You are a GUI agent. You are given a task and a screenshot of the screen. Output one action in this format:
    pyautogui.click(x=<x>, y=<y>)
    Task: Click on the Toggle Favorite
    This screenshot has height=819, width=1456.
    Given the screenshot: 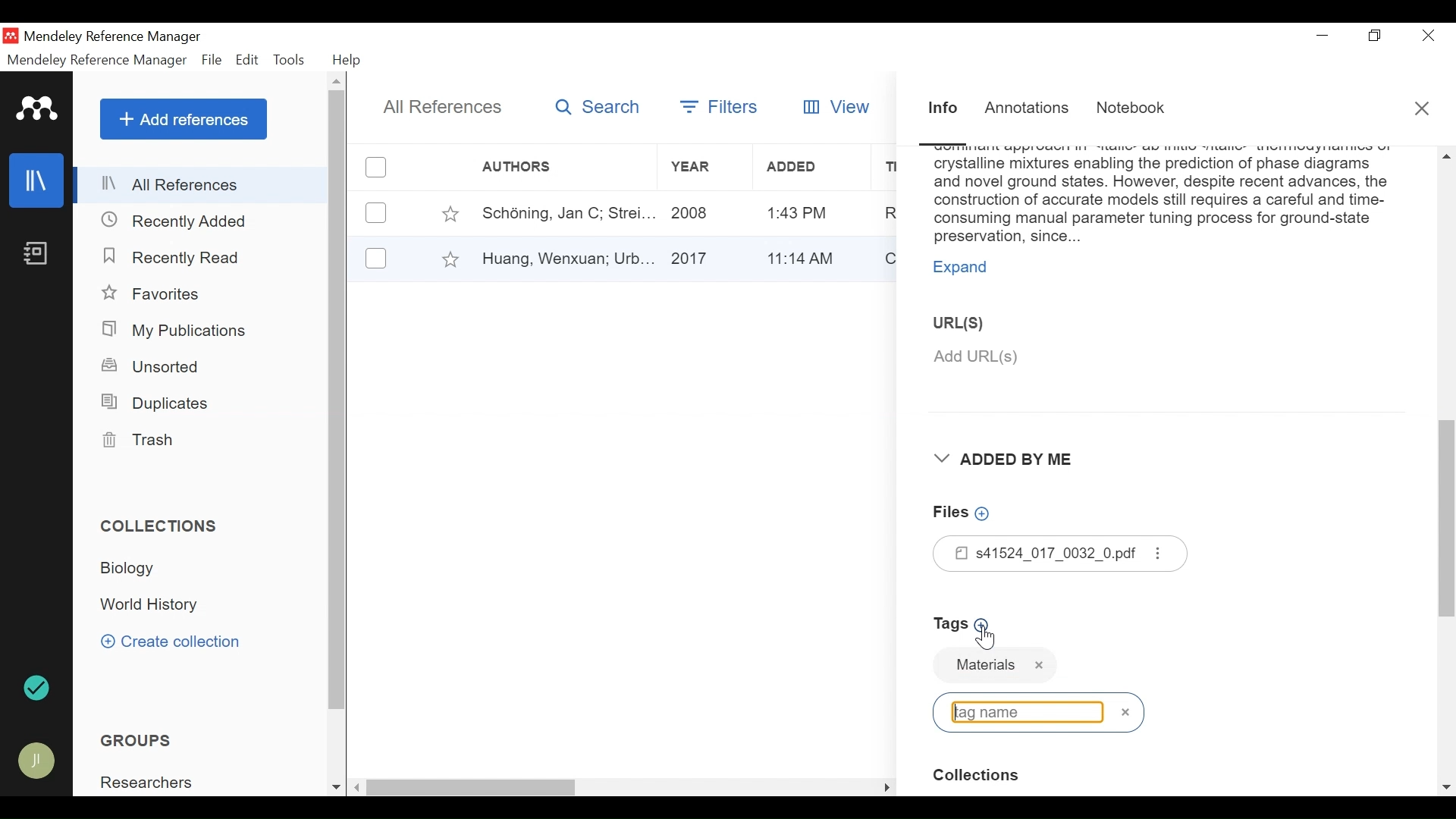 What is the action you would take?
    pyautogui.click(x=450, y=213)
    